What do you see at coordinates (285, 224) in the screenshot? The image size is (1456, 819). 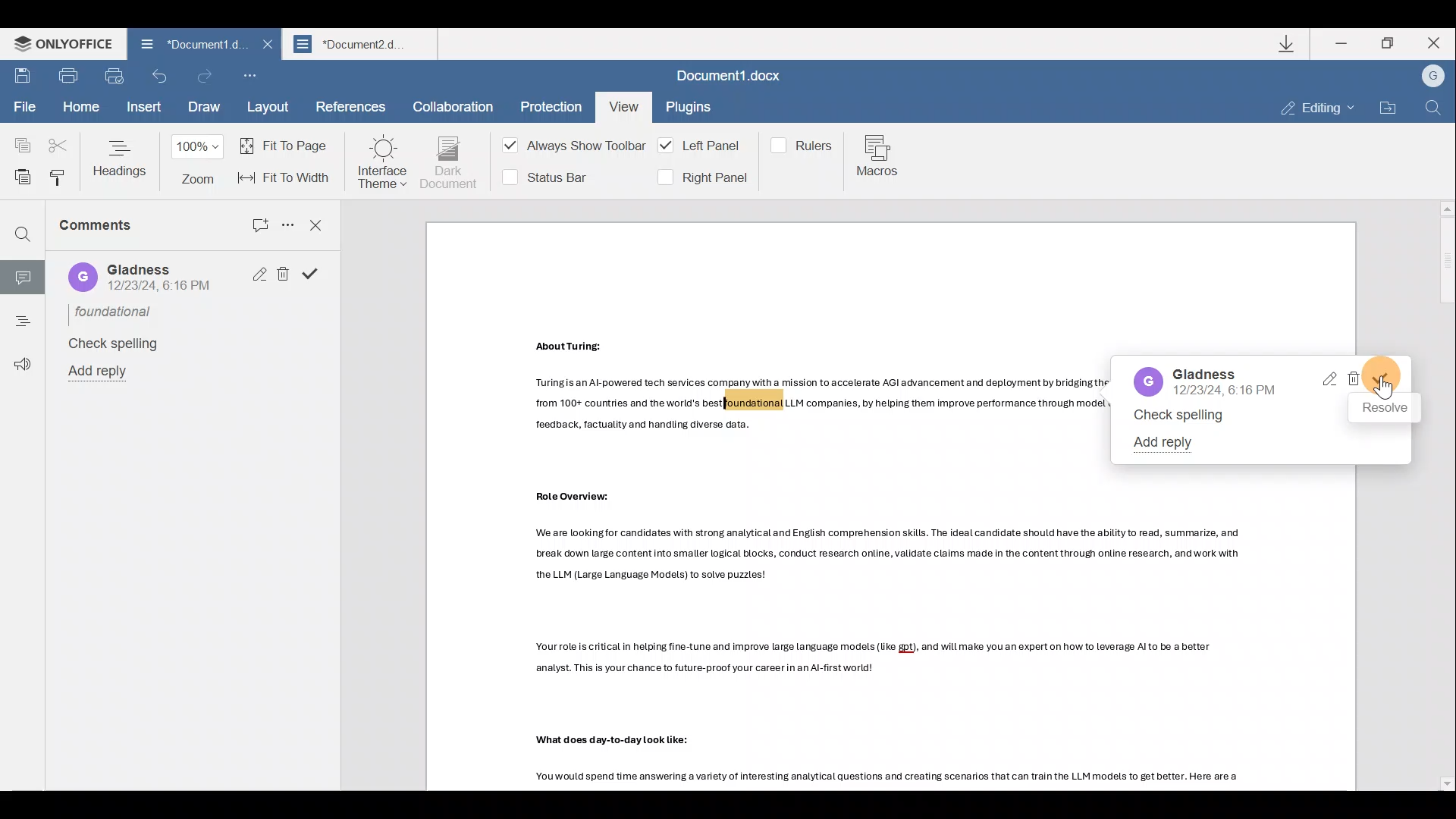 I see `Sort and more` at bounding box center [285, 224].